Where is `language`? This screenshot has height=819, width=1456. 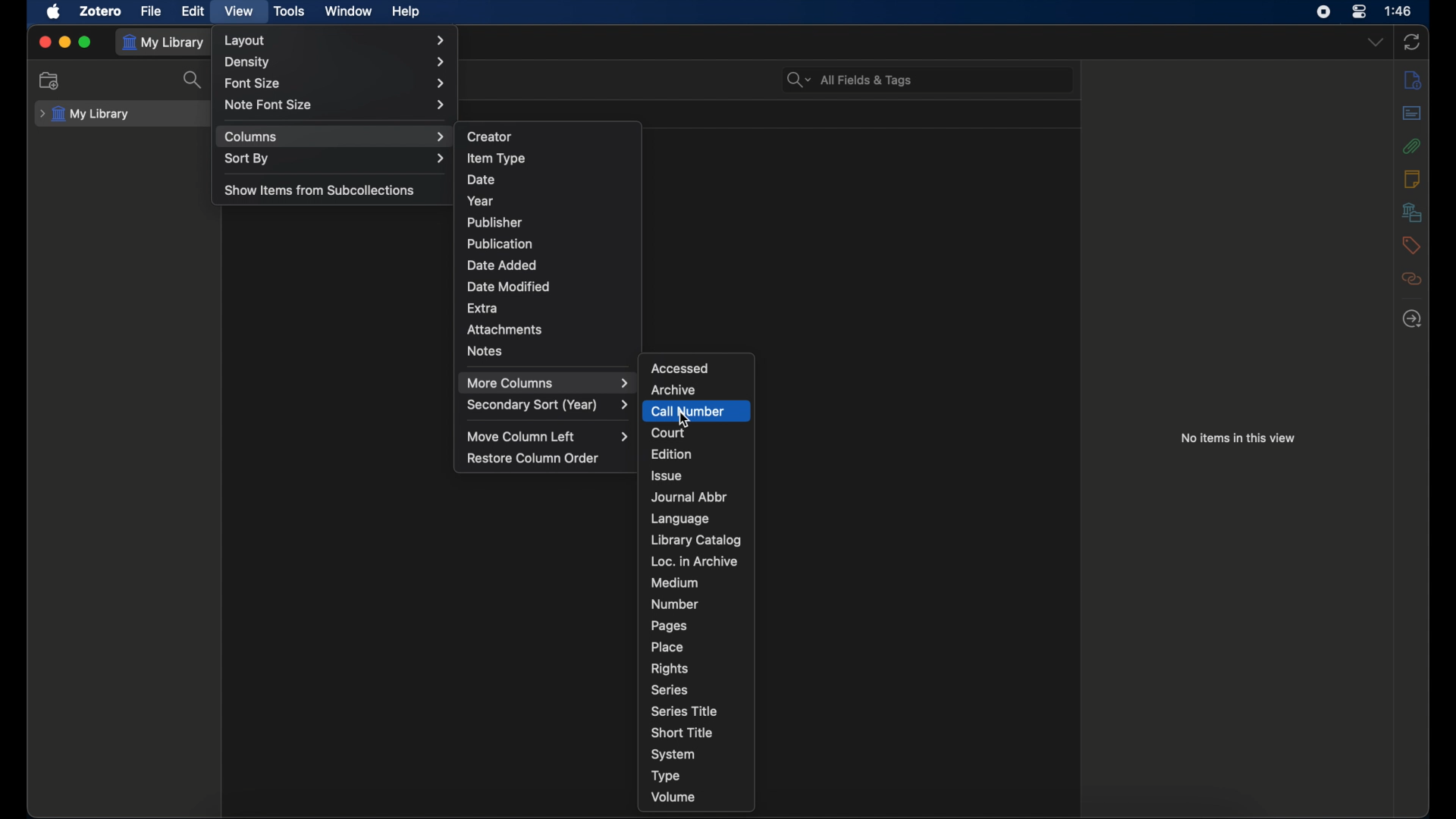 language is located at coordinates (681, 519).